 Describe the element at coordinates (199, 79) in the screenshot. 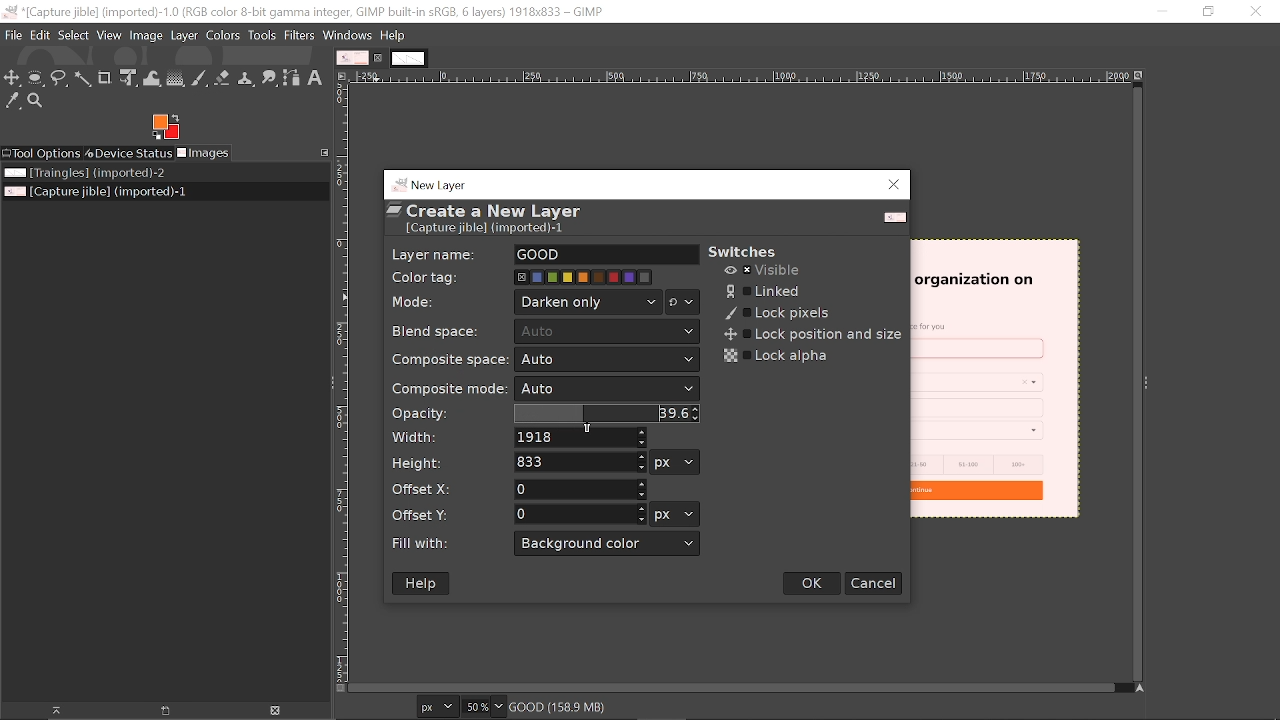

I see `Paintbrush tool` at that location.